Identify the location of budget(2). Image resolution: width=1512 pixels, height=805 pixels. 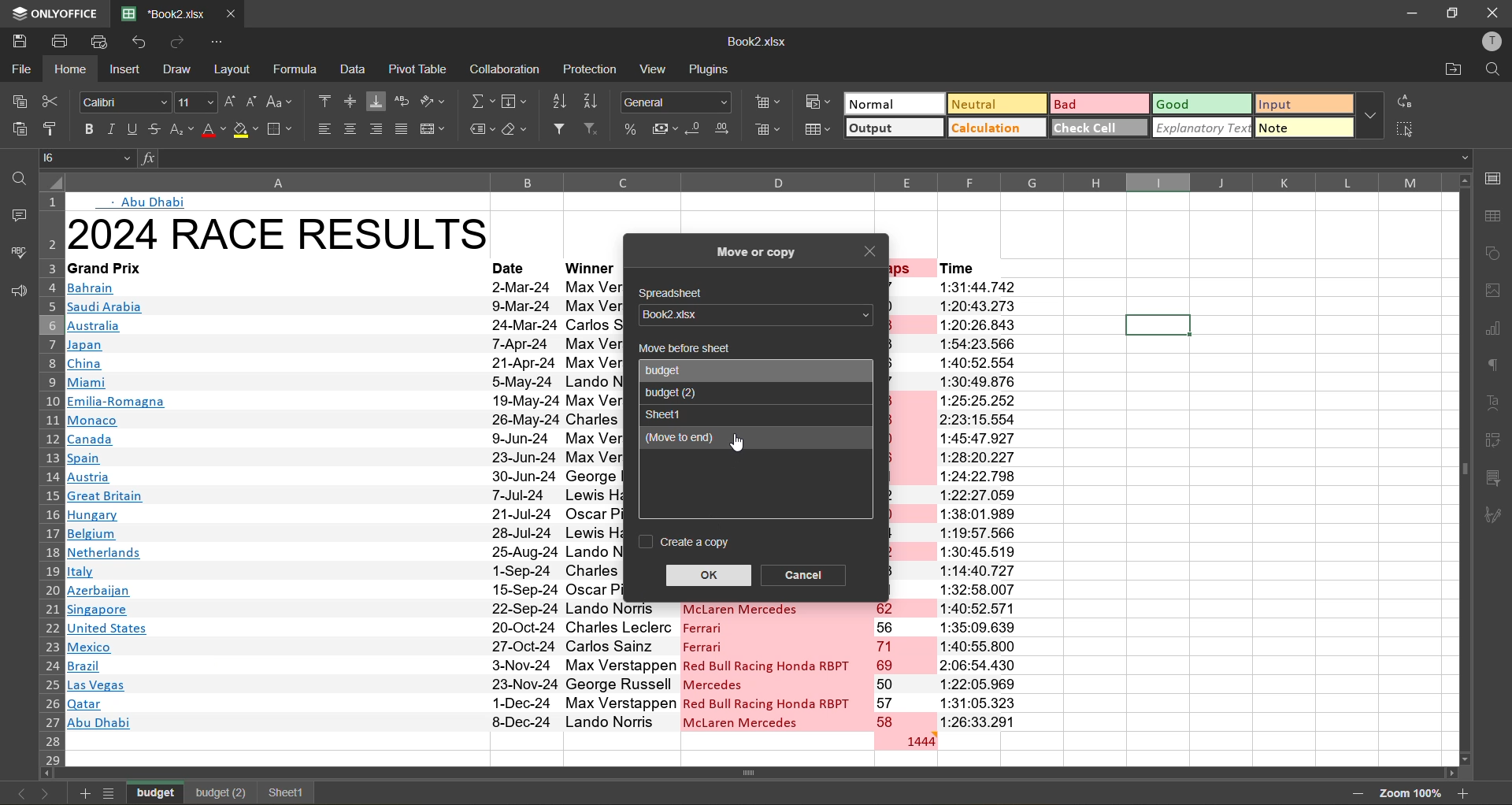
(220, 793).